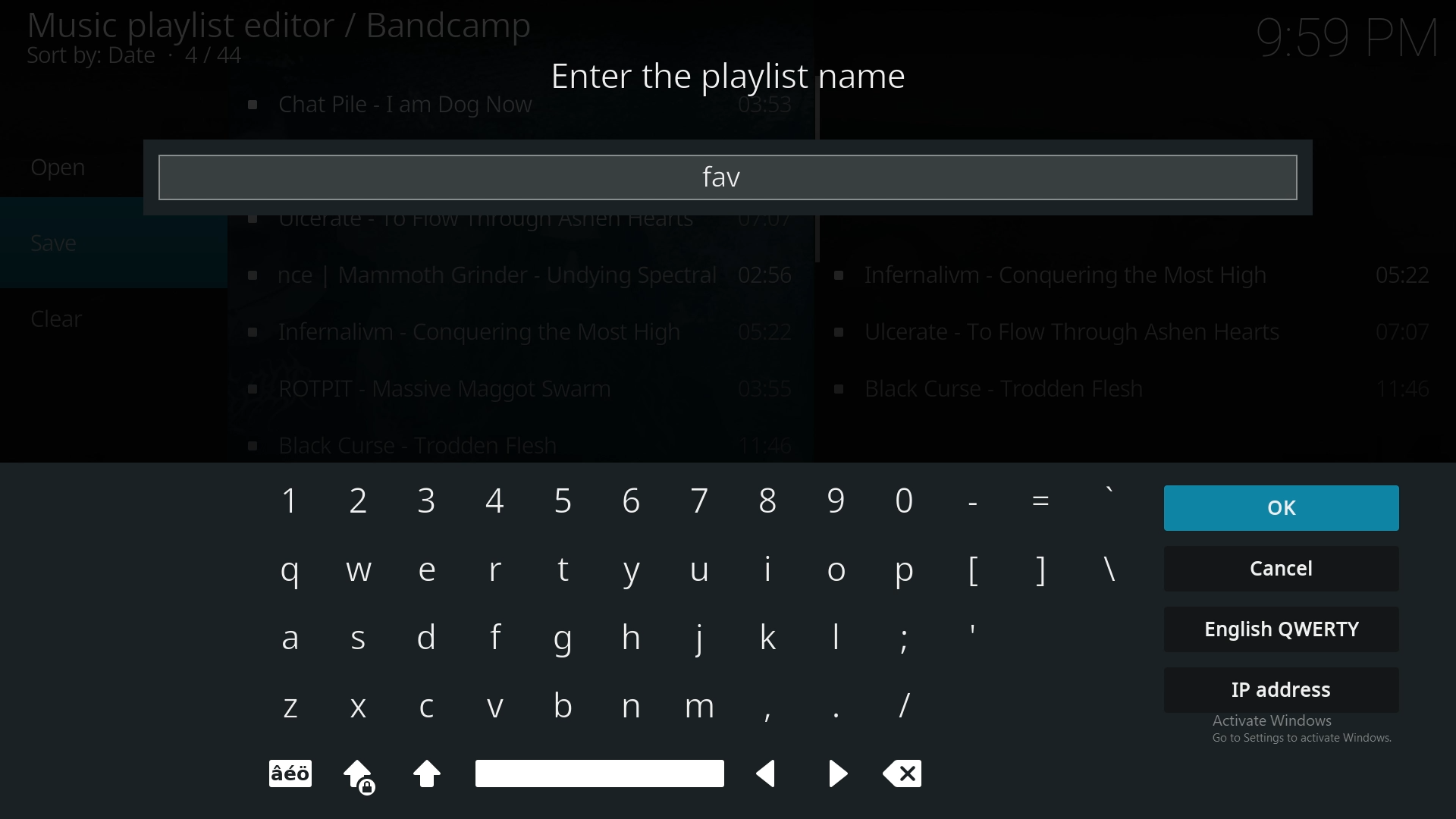 This screenshot has height=819, width=1456. I want to click on keyboard input, so click(769, 636).